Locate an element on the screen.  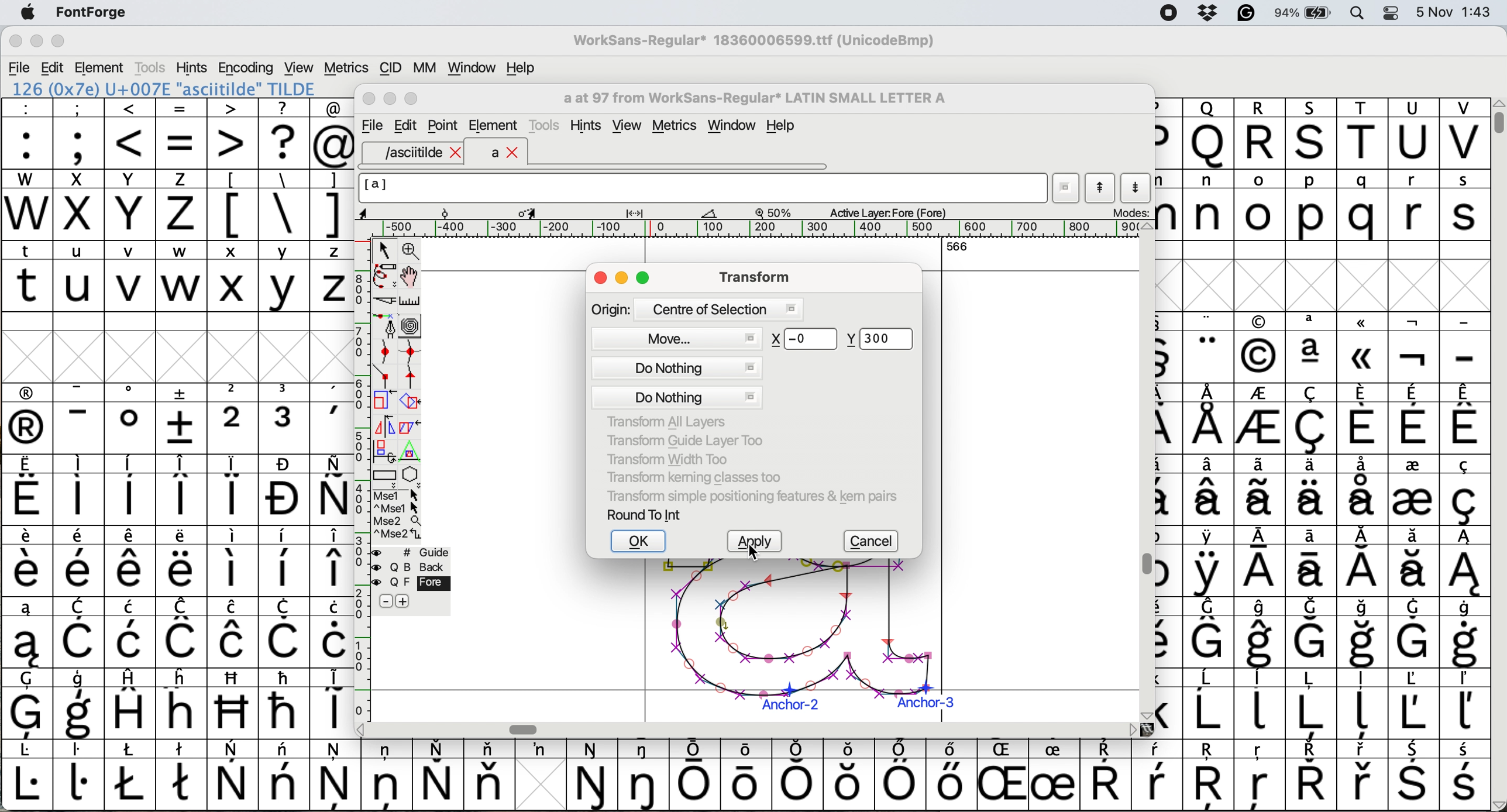
symbol is located at coordinates (1208, 562).